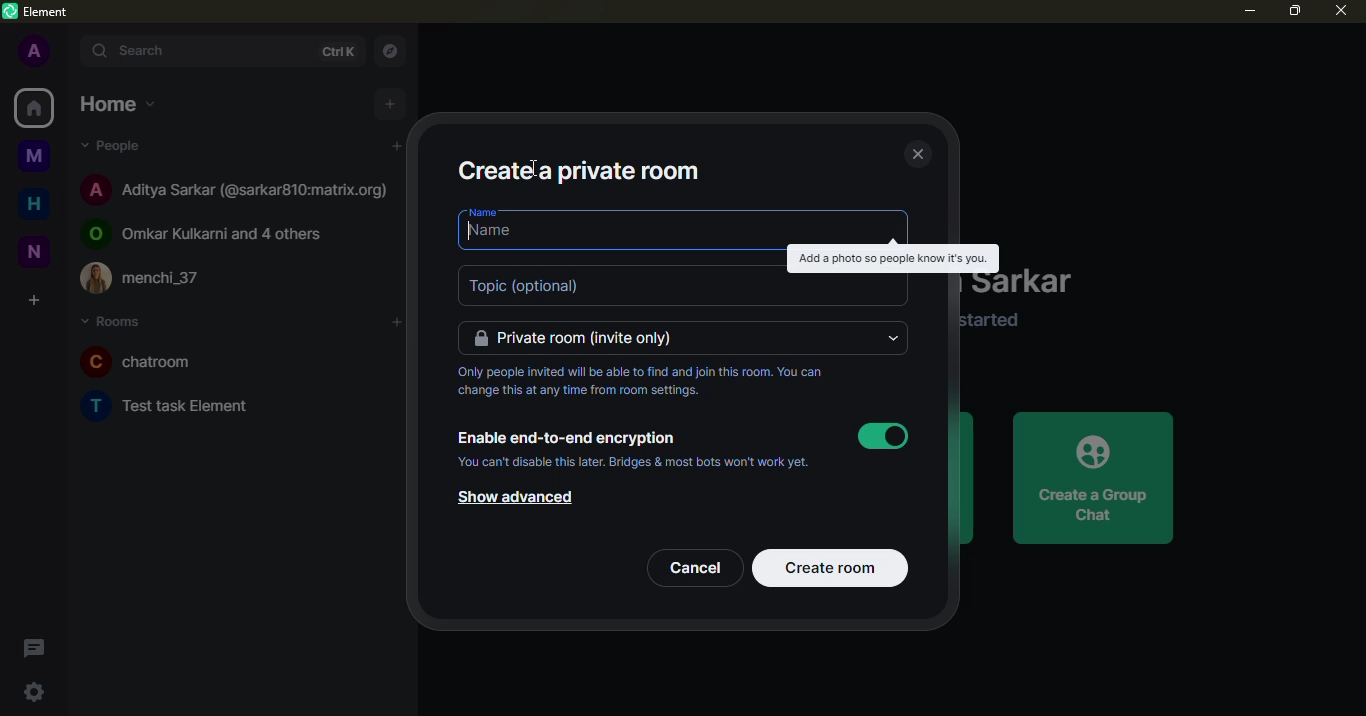 Image resolution: width=1366 pixels, height=716 pixels. What do you see at coordinates (145, 51) in the screenshot?
I see `search` at bounding box center [145, 51].